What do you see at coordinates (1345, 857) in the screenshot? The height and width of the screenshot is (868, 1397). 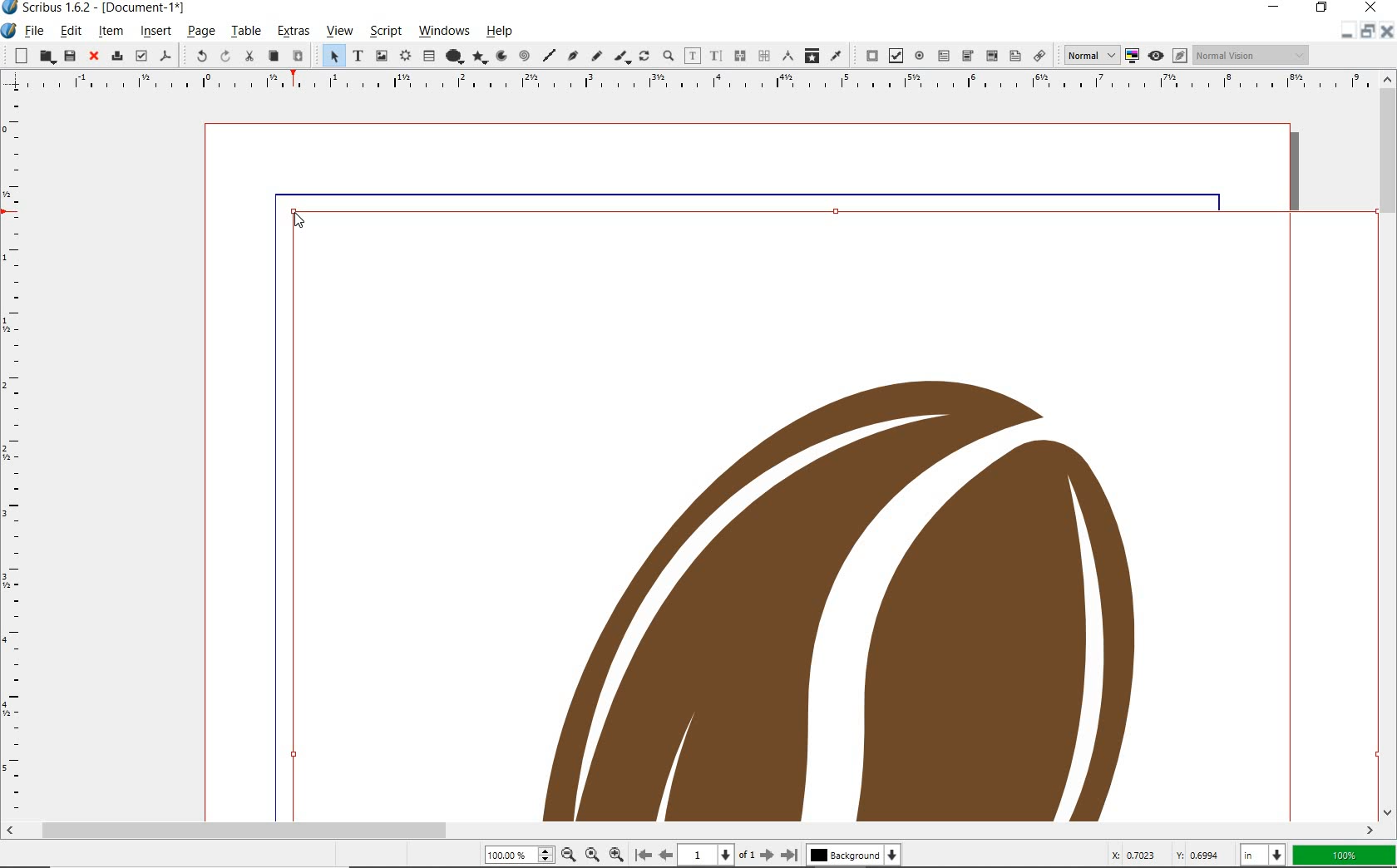 I see `zoom factor` at bounding box center [1345, 857].